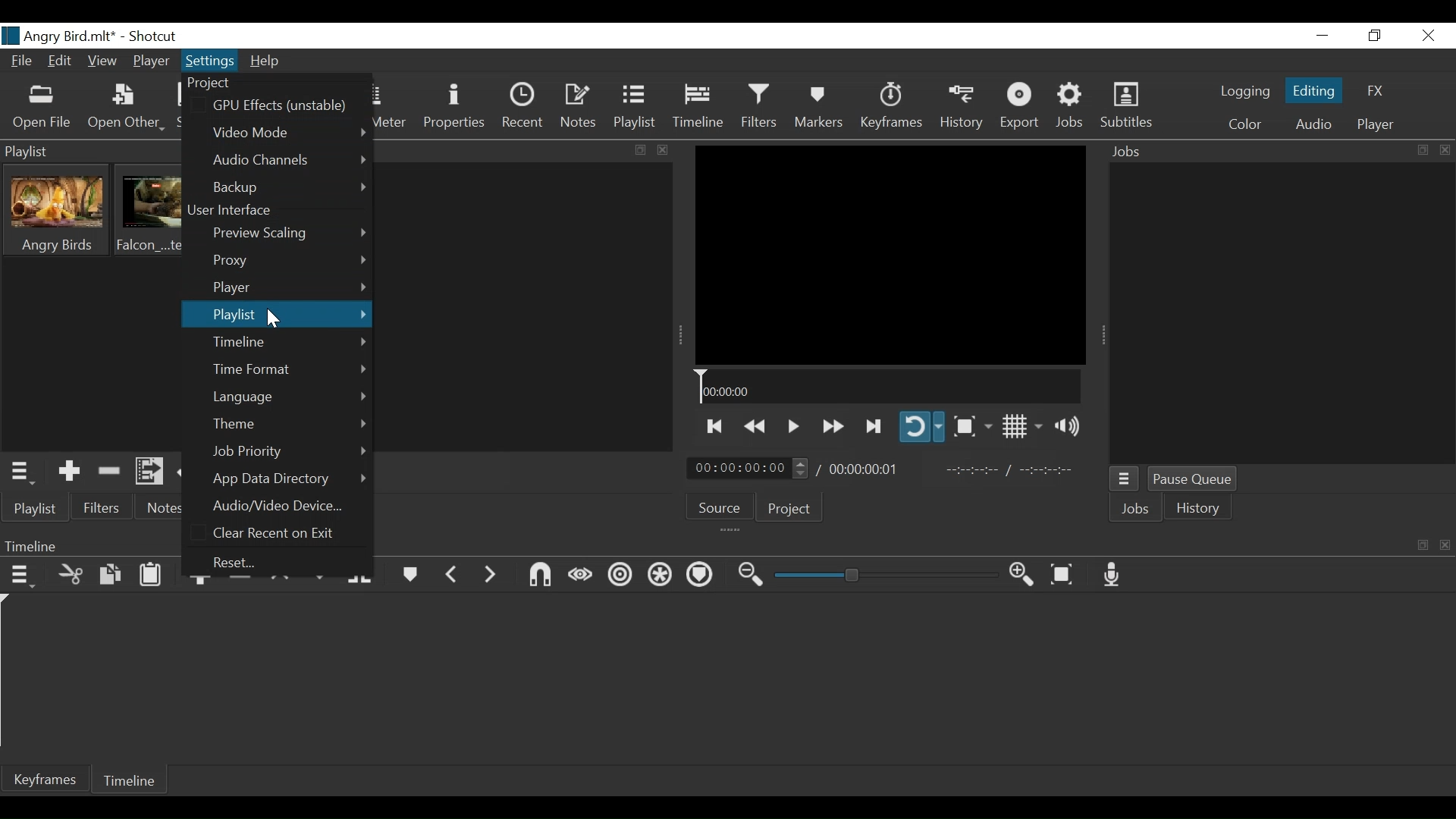 Image resolution: width=1456 pixels, height=819 pixels. Describe the element at coordinates (1282, 314) in the screenshot. I see `Jobs Panel` at that location.